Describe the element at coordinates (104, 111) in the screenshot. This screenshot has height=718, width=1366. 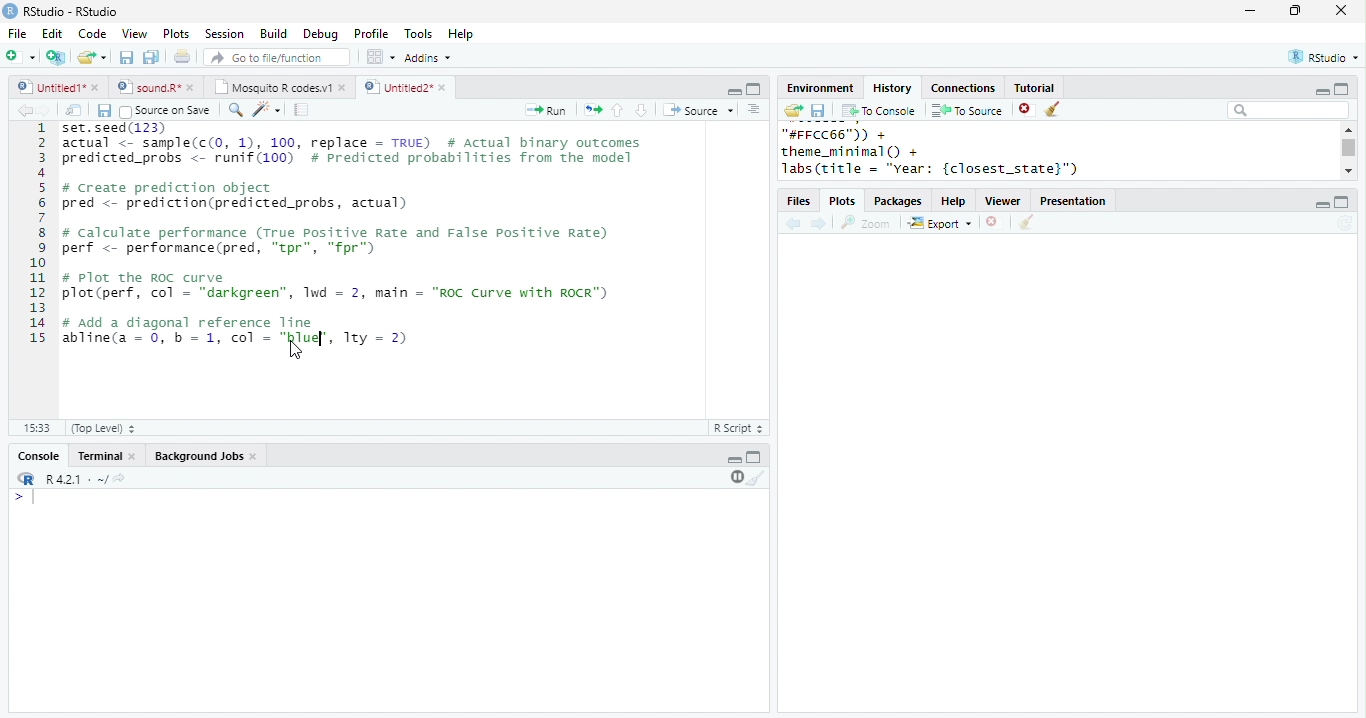
I see `save` at that location.